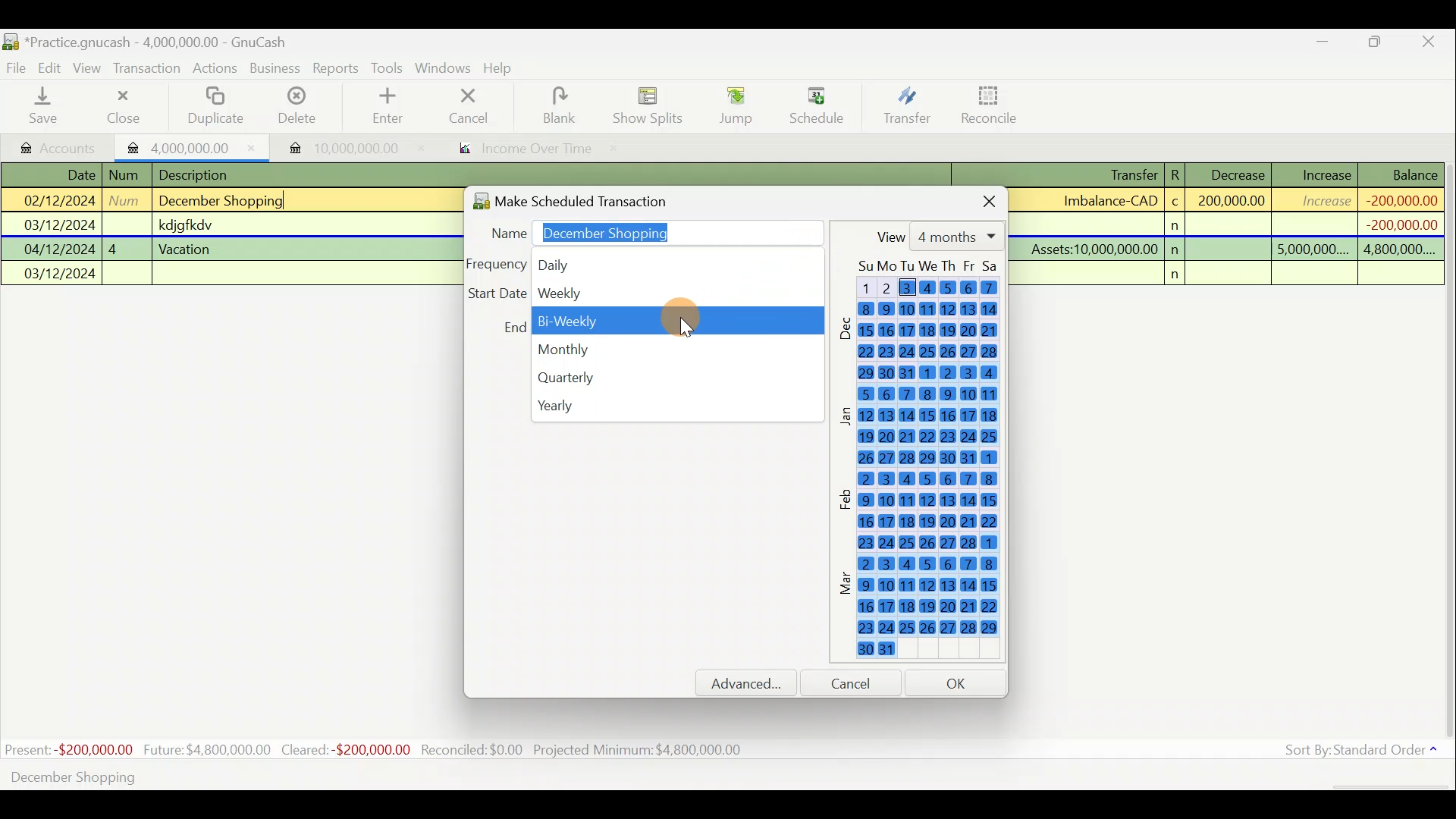 The width and height of the screenshot is (1456, 819). Describe the element at coordinates (1323, 45) in the screenshot. I see `Minimise` at that location.